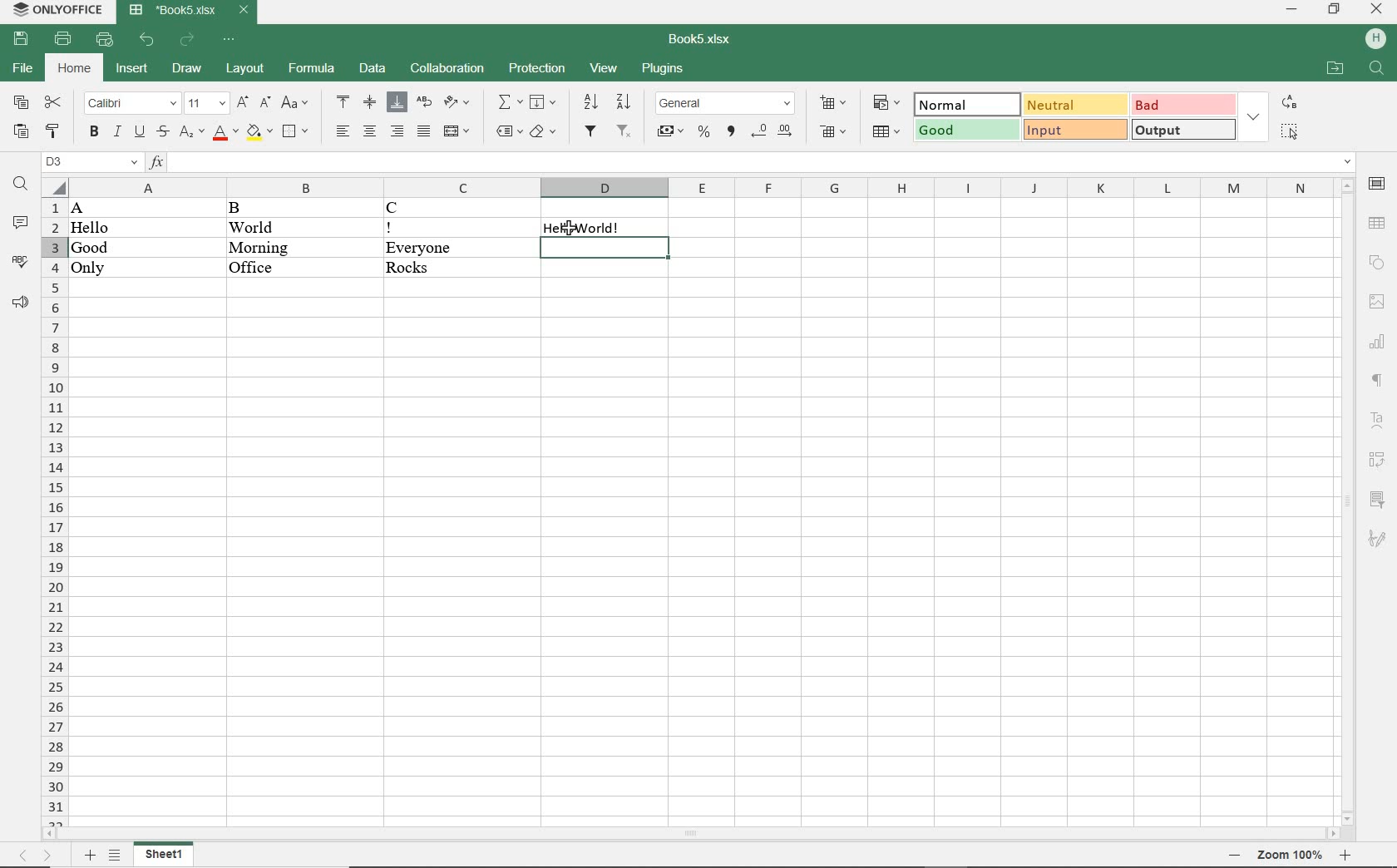 This screenshot has width=1397, height=868. I want to click on NAMED RANGES, so click(506, 131).